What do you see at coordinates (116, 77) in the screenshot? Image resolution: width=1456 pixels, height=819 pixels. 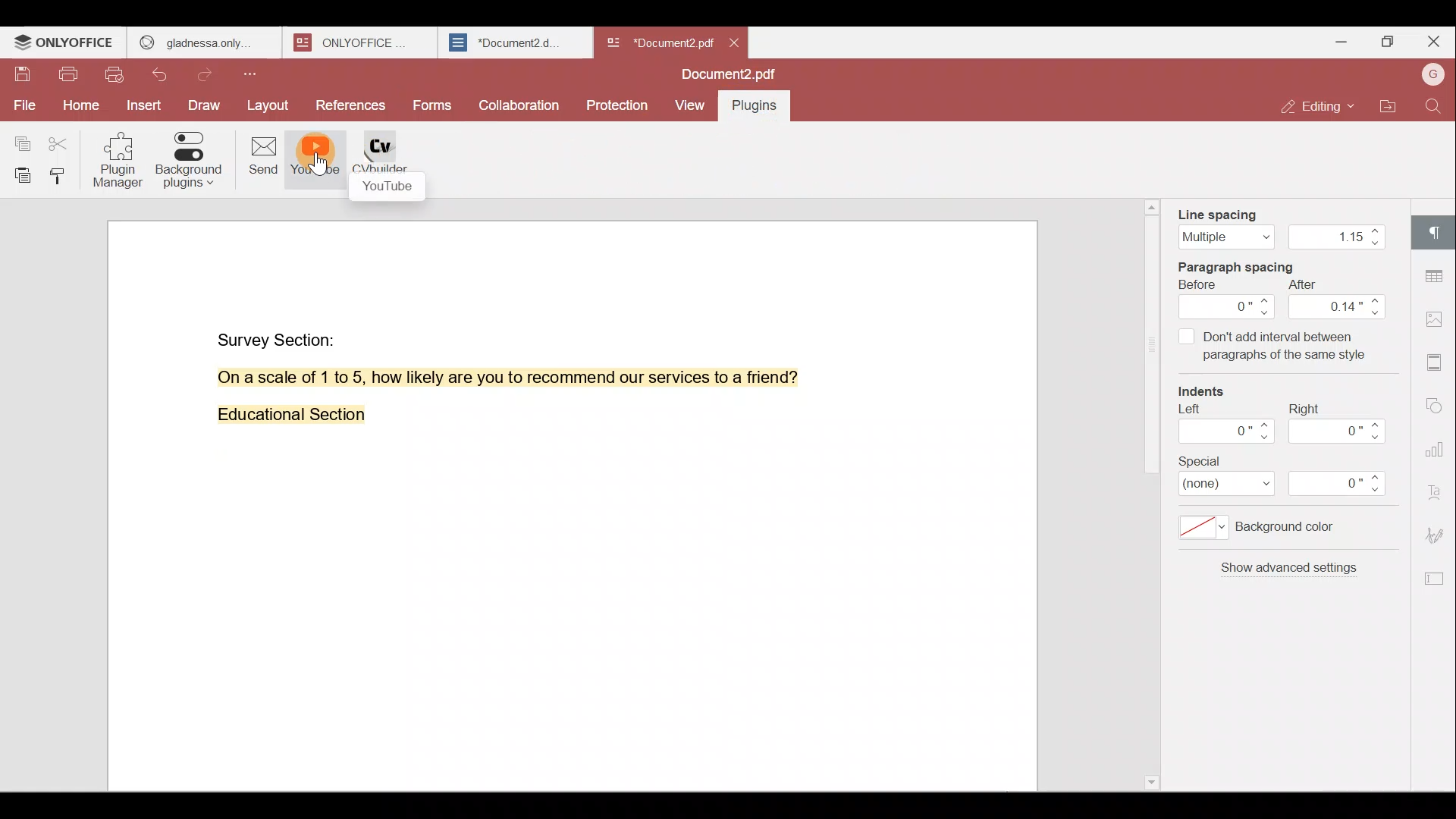 I see `Quick print` at bounding box center [116, 77].